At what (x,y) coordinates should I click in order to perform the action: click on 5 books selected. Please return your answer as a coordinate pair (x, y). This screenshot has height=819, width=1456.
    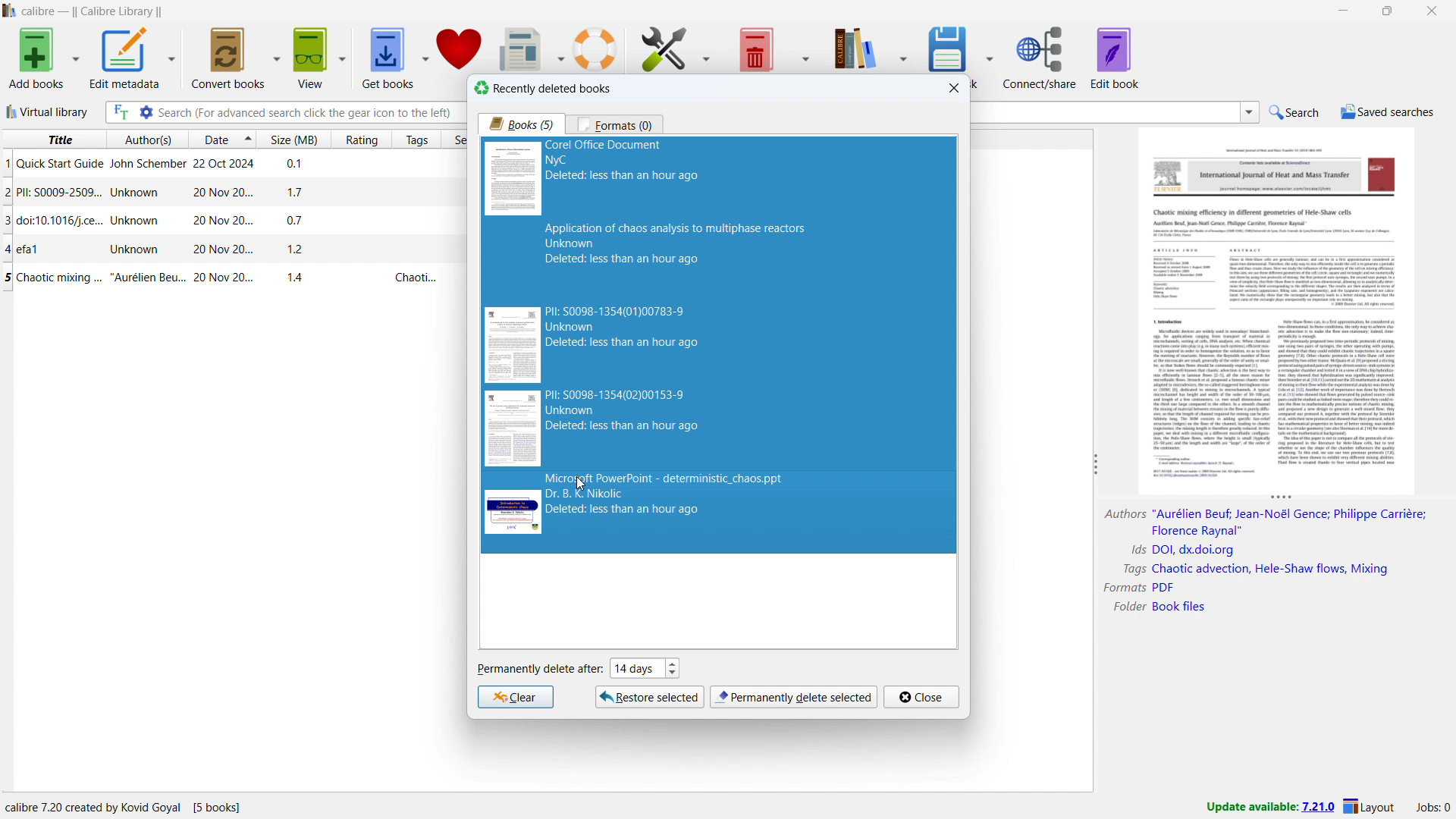
    Looking at the image, I should click on (719, 347).